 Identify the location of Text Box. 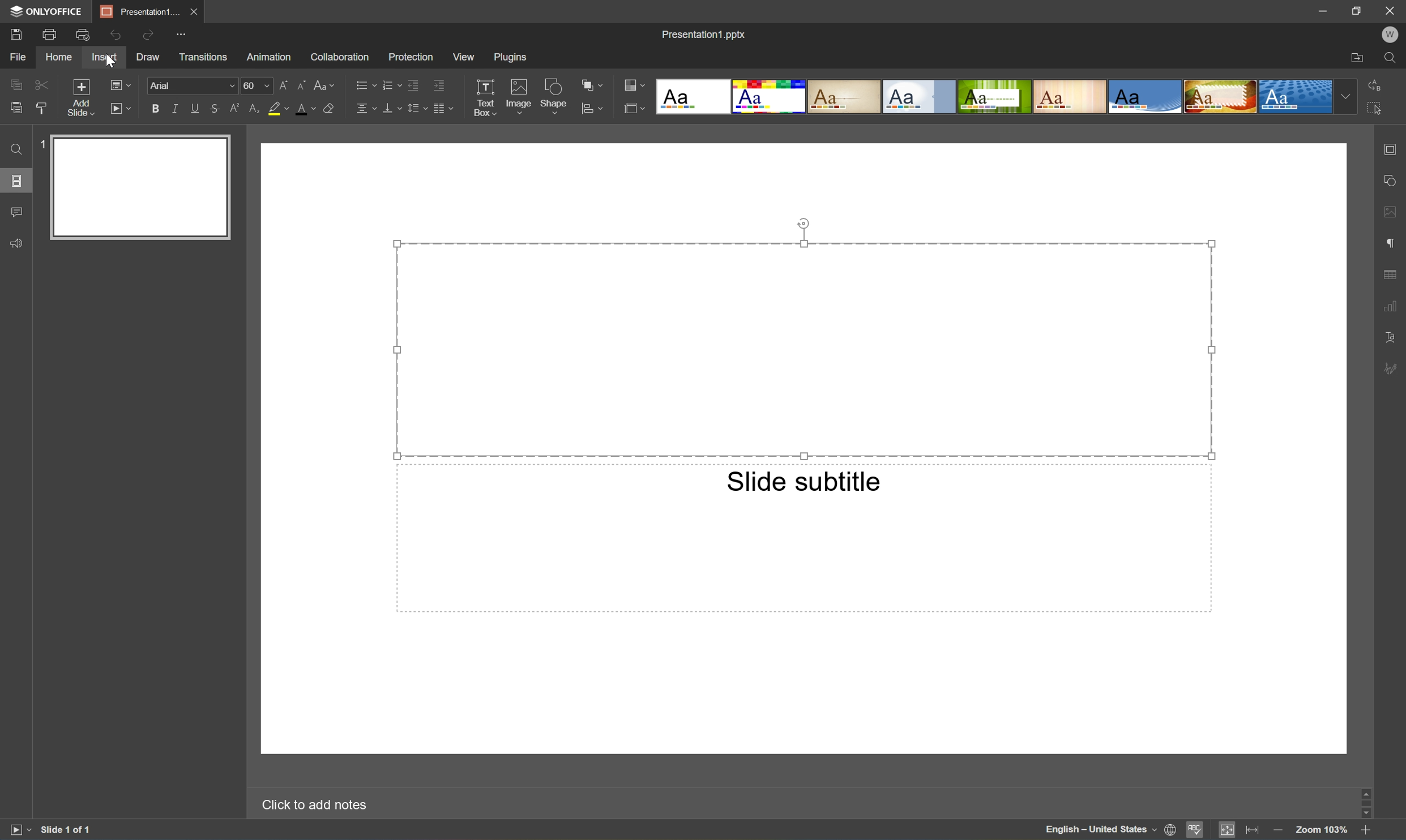
(804, 349).